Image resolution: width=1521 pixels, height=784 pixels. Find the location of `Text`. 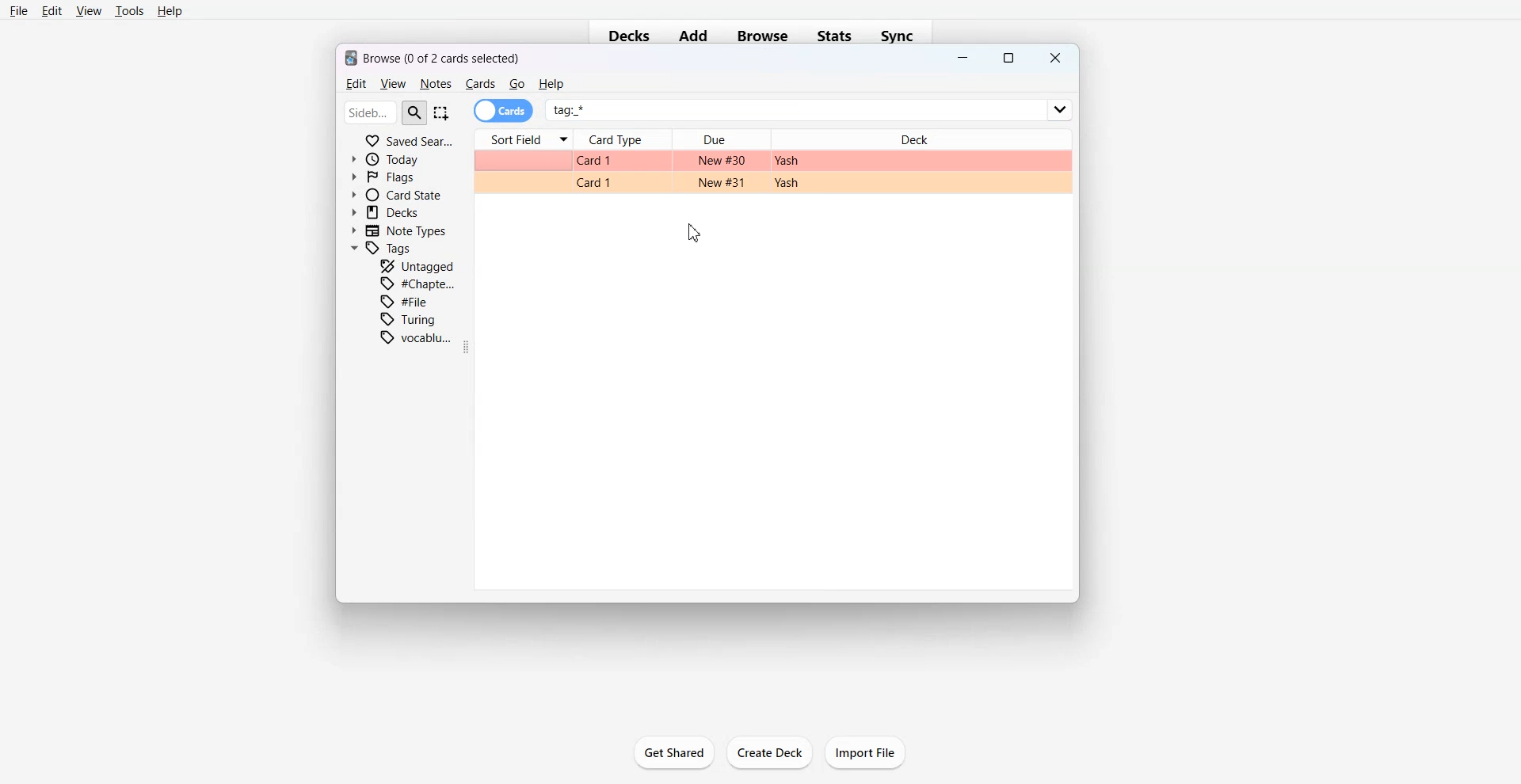

Text is located at coordinates (433, 56).